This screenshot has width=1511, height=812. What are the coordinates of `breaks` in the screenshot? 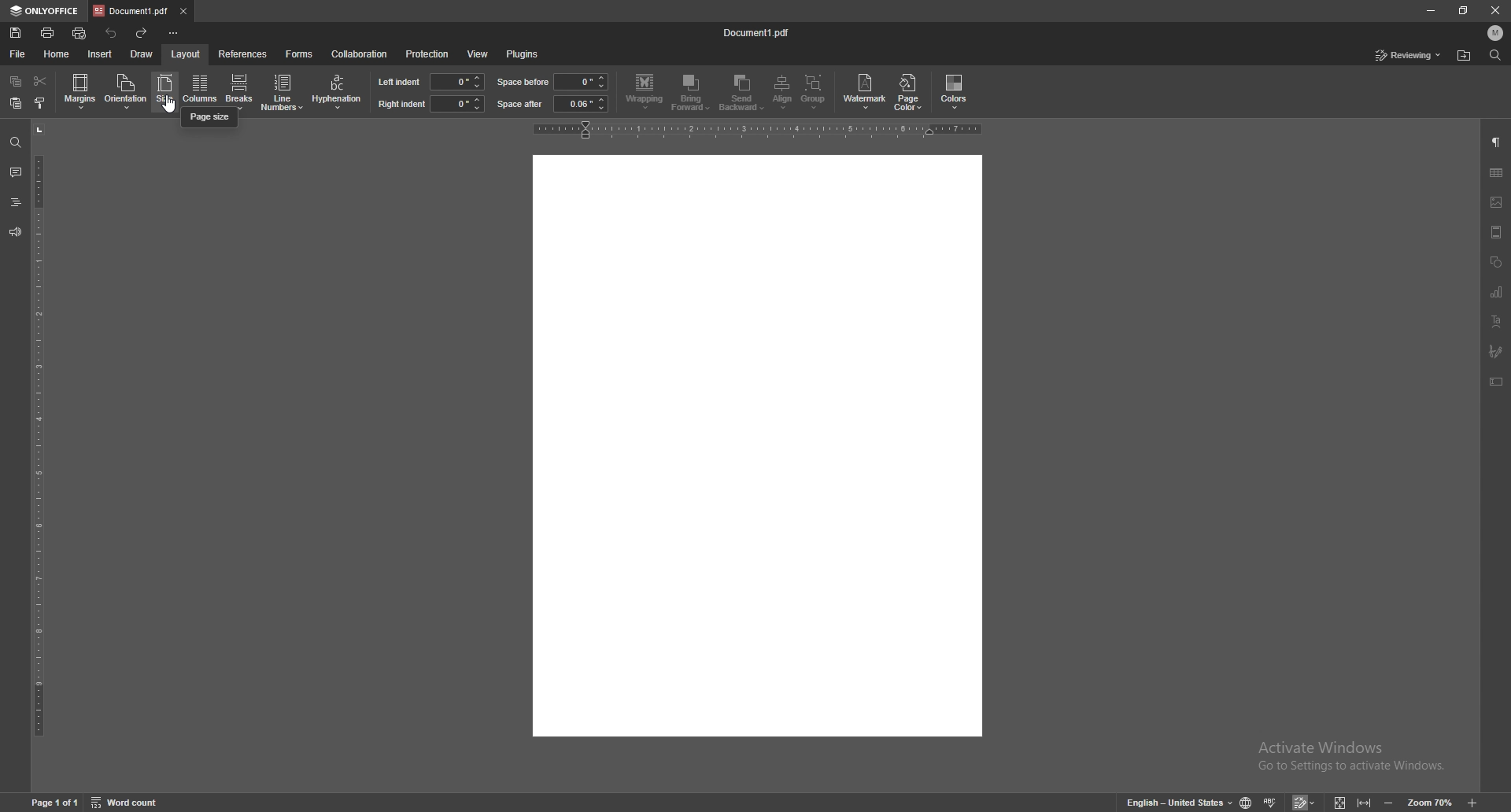 It's located at (238, 91).